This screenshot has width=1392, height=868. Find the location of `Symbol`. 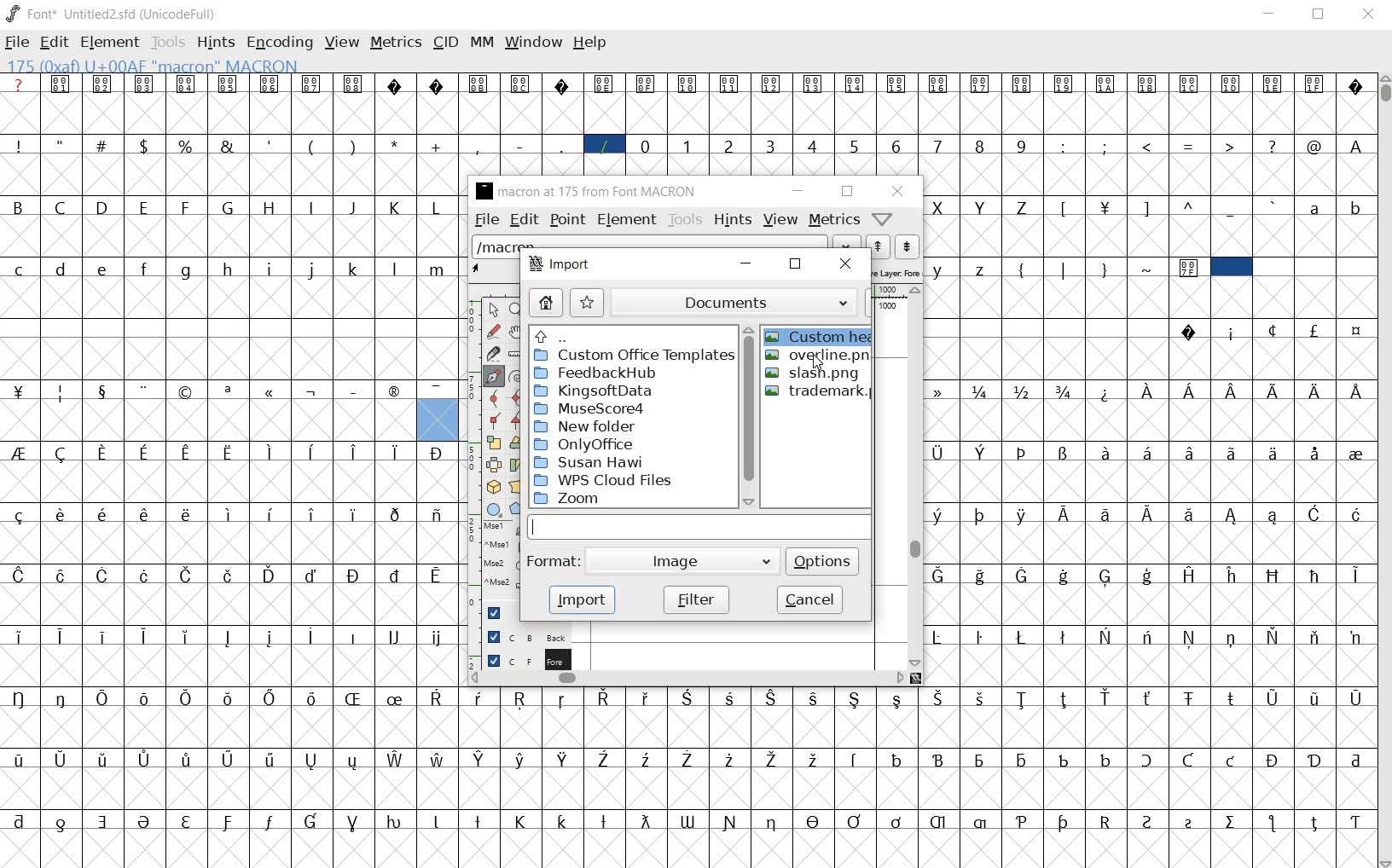

Symbol is located at coordinates (1022, 83).